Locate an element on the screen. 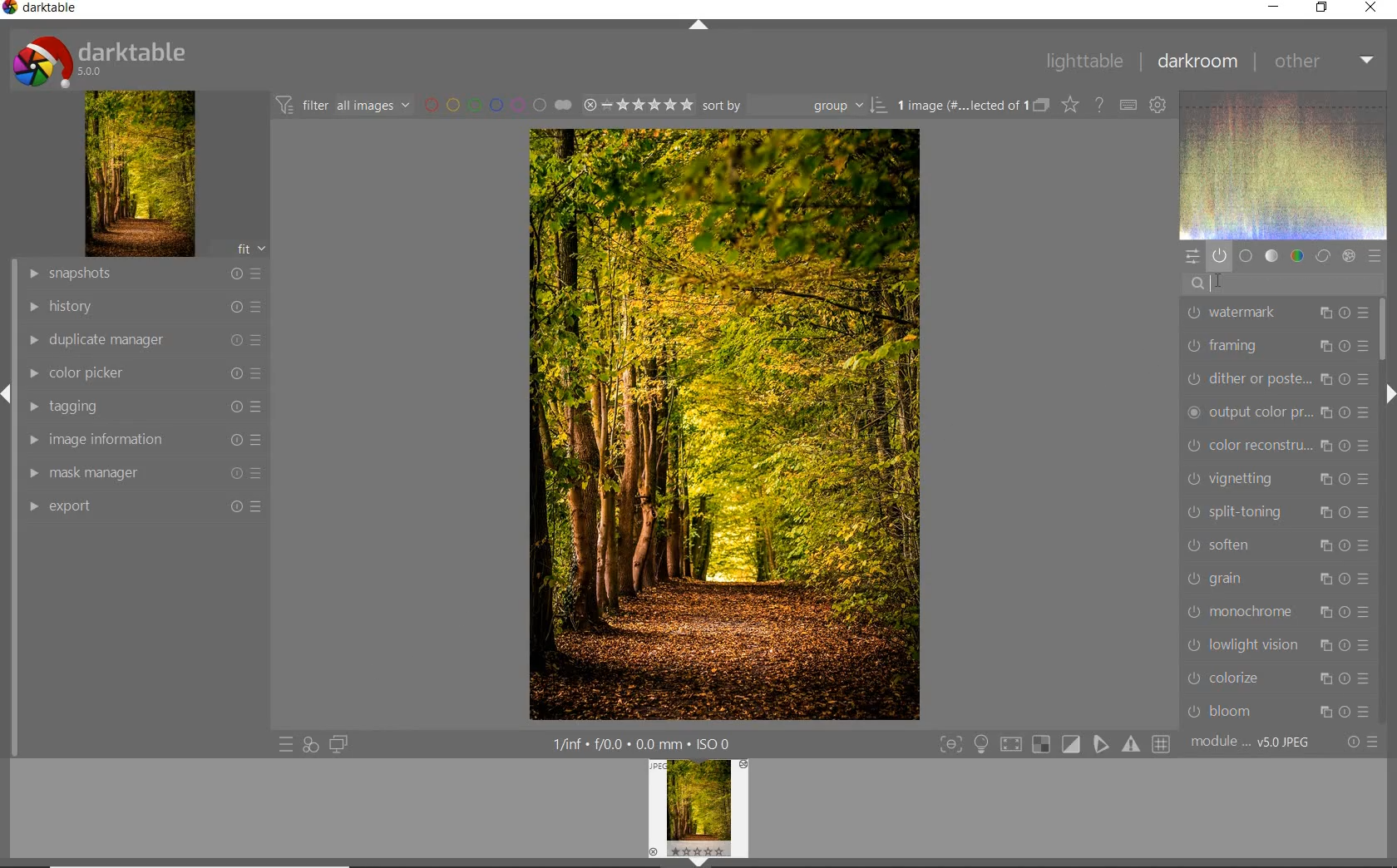 This screenshot has height=868, width=1397. history is located at coordinates (144, 305).